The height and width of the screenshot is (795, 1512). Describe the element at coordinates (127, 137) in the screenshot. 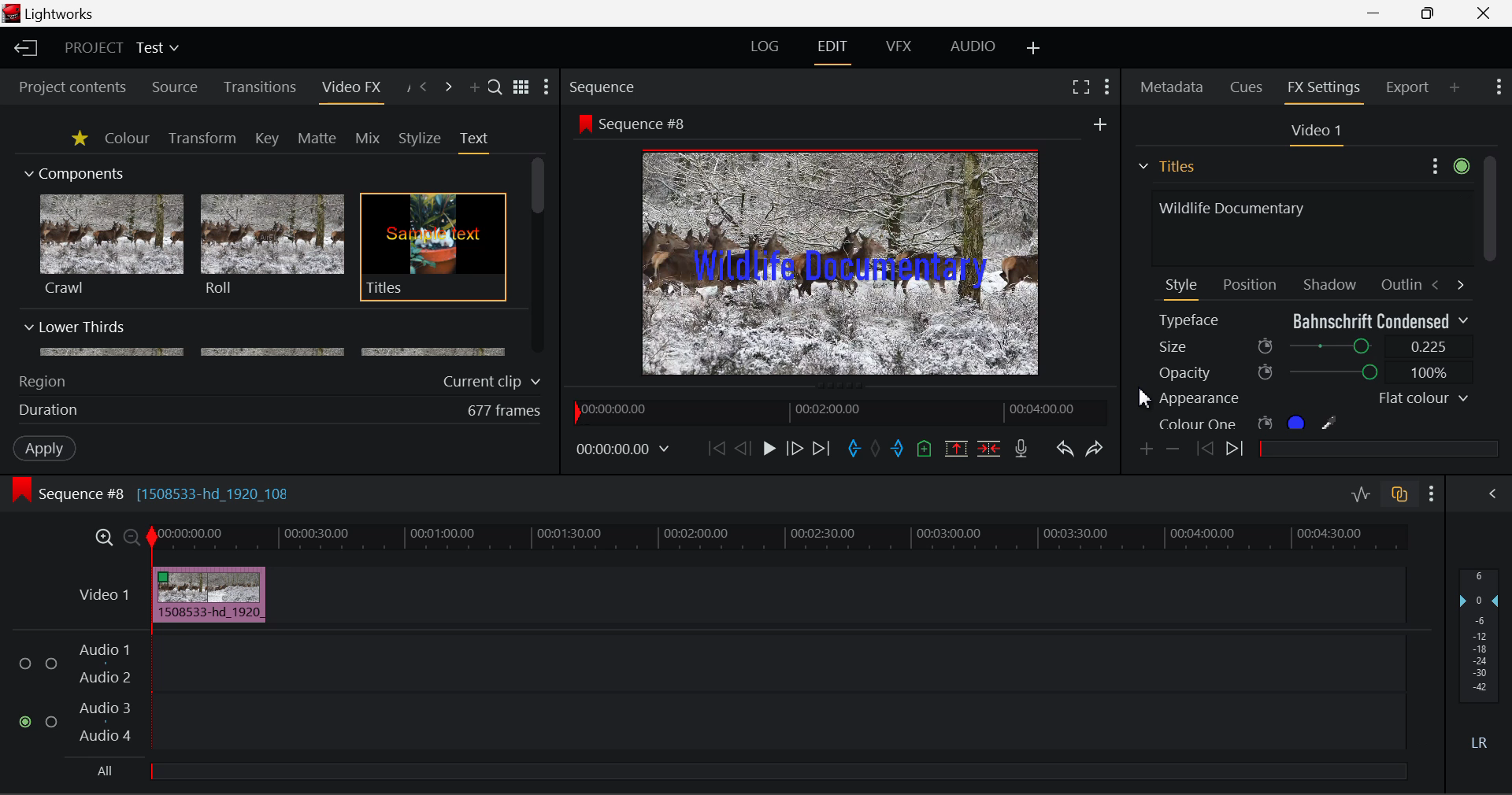

I see `Colour` at that location.